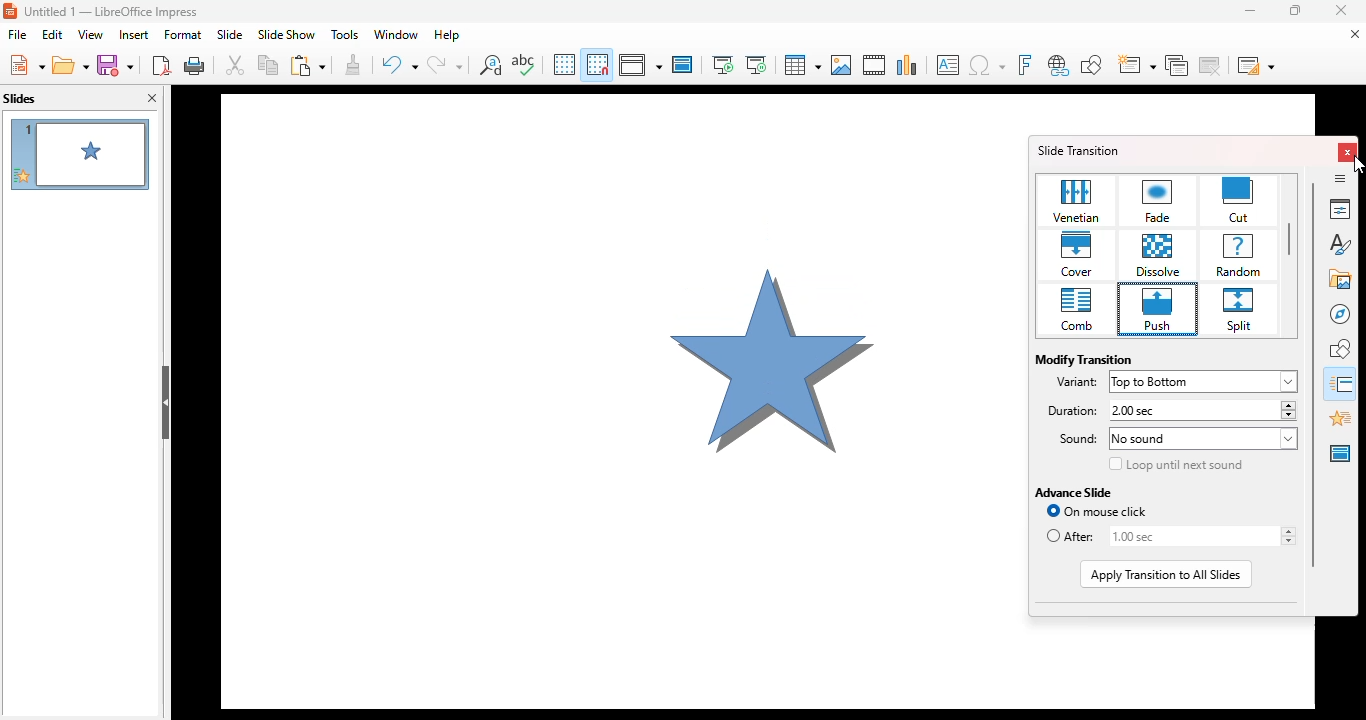 This screenshot has height=720, width=1366. What do you see at coordinates (1176, 464) in the screenshot?
I see `loop until next sound` at bounding box center [1176, 464].